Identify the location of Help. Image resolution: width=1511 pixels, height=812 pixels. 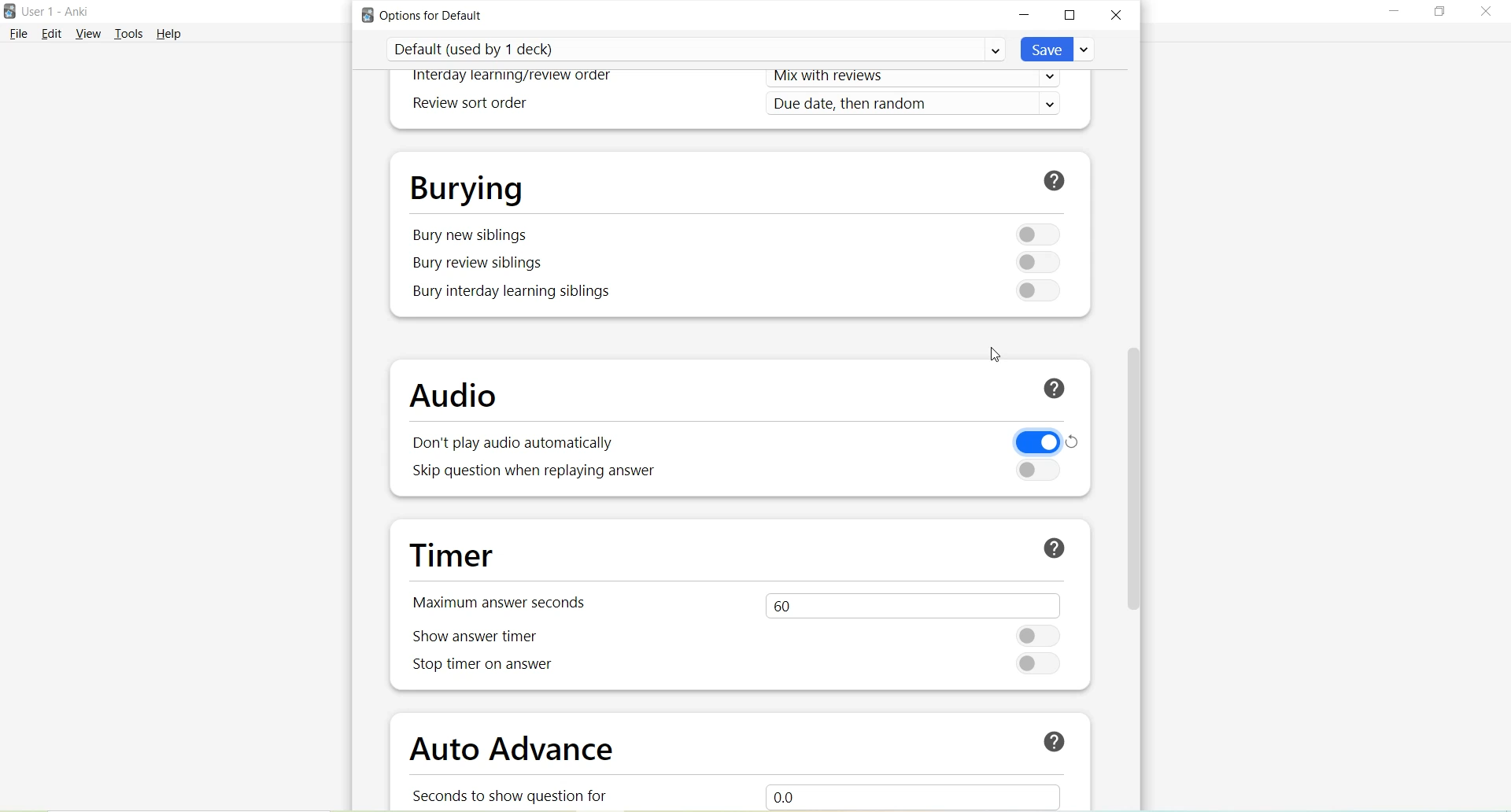
(169, 33).